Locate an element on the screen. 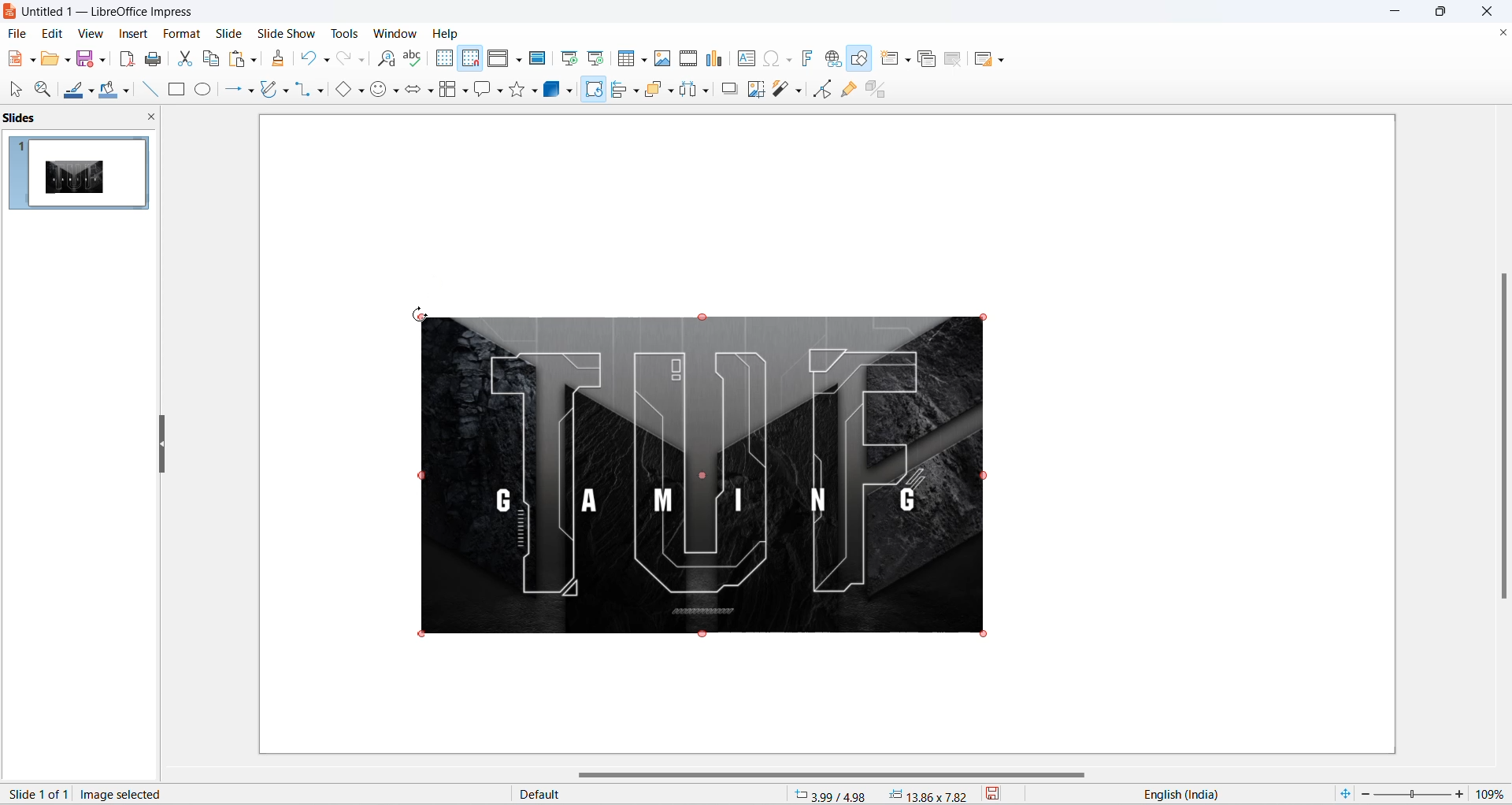 The height and width of the screenshot is (805, 1512). find and replace is located at coordinates (389, 59).